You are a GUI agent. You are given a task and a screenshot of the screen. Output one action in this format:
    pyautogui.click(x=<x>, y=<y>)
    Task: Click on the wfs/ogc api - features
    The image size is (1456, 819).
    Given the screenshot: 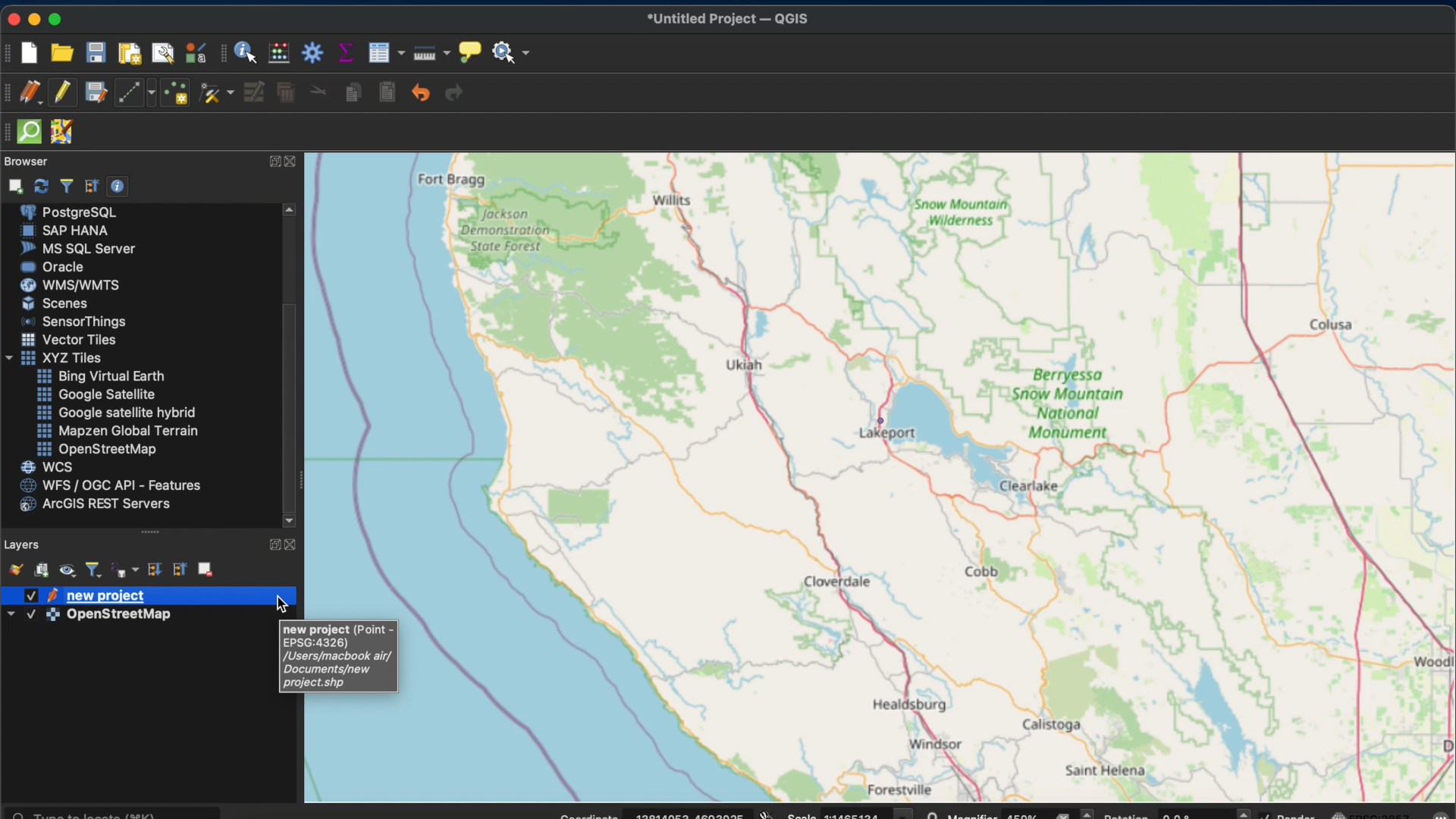 What is the action you would take?
    pyautogui.click(x=107, y=486)
    